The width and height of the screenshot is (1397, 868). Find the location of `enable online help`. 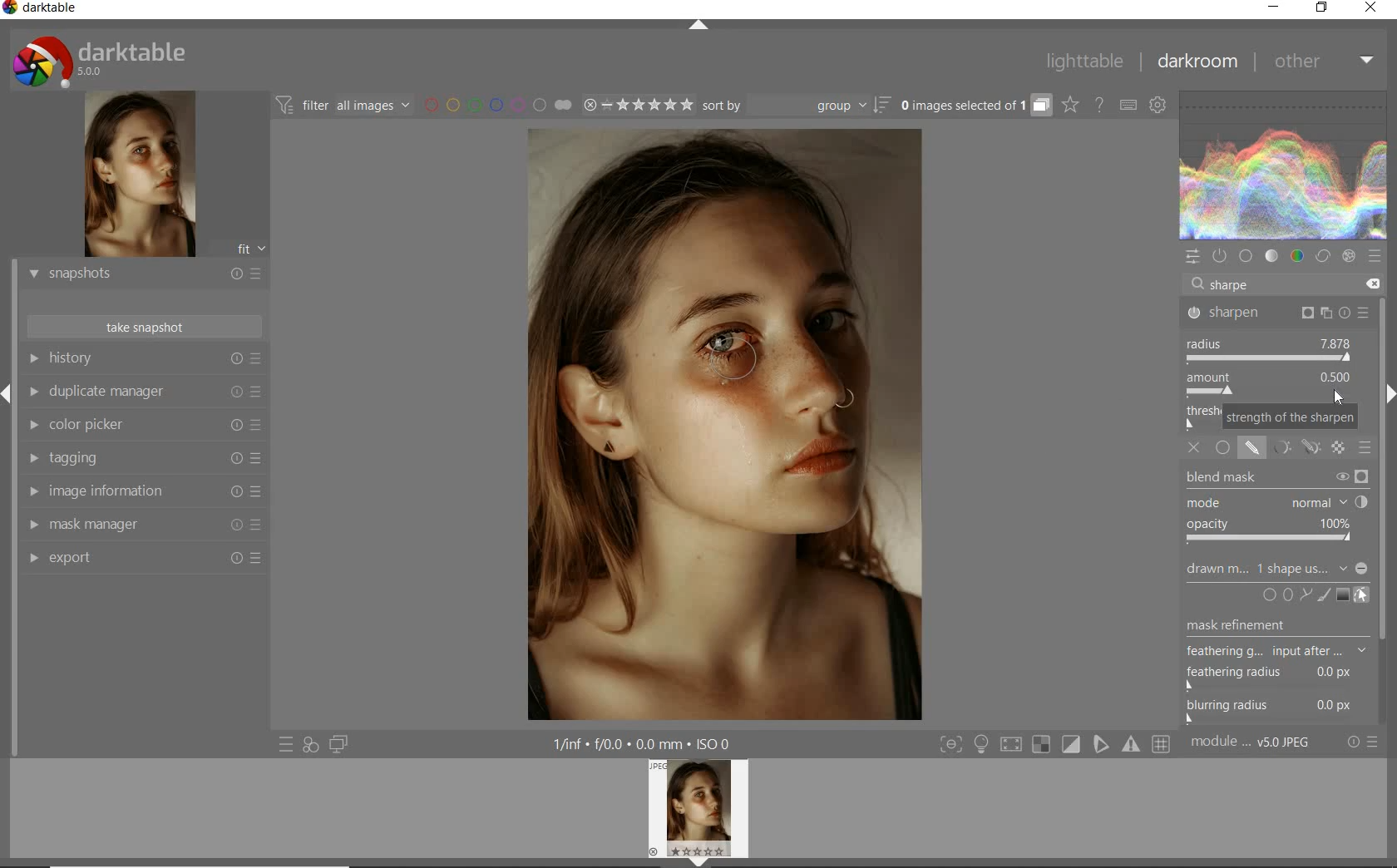

enable online help is located at coordinates (1100, 106).